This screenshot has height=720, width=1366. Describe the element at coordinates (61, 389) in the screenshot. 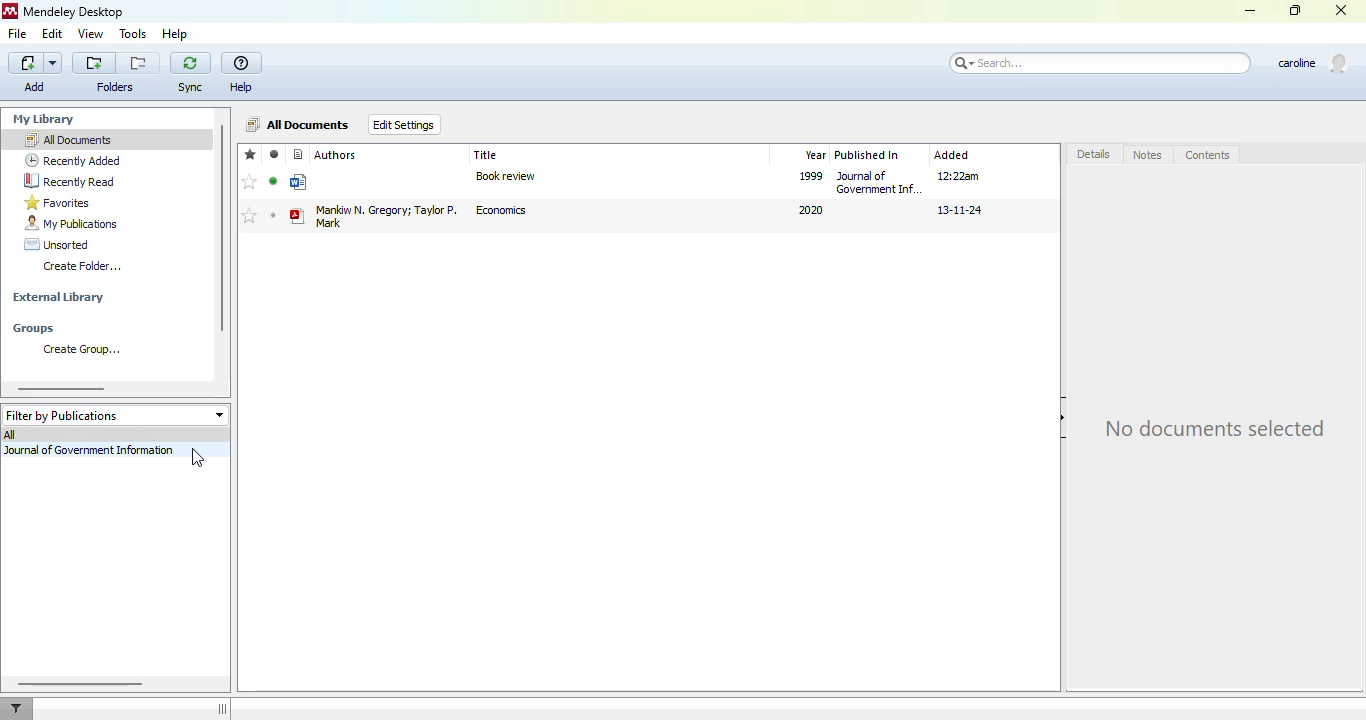

I see `horizontal scroll bar` at that location.